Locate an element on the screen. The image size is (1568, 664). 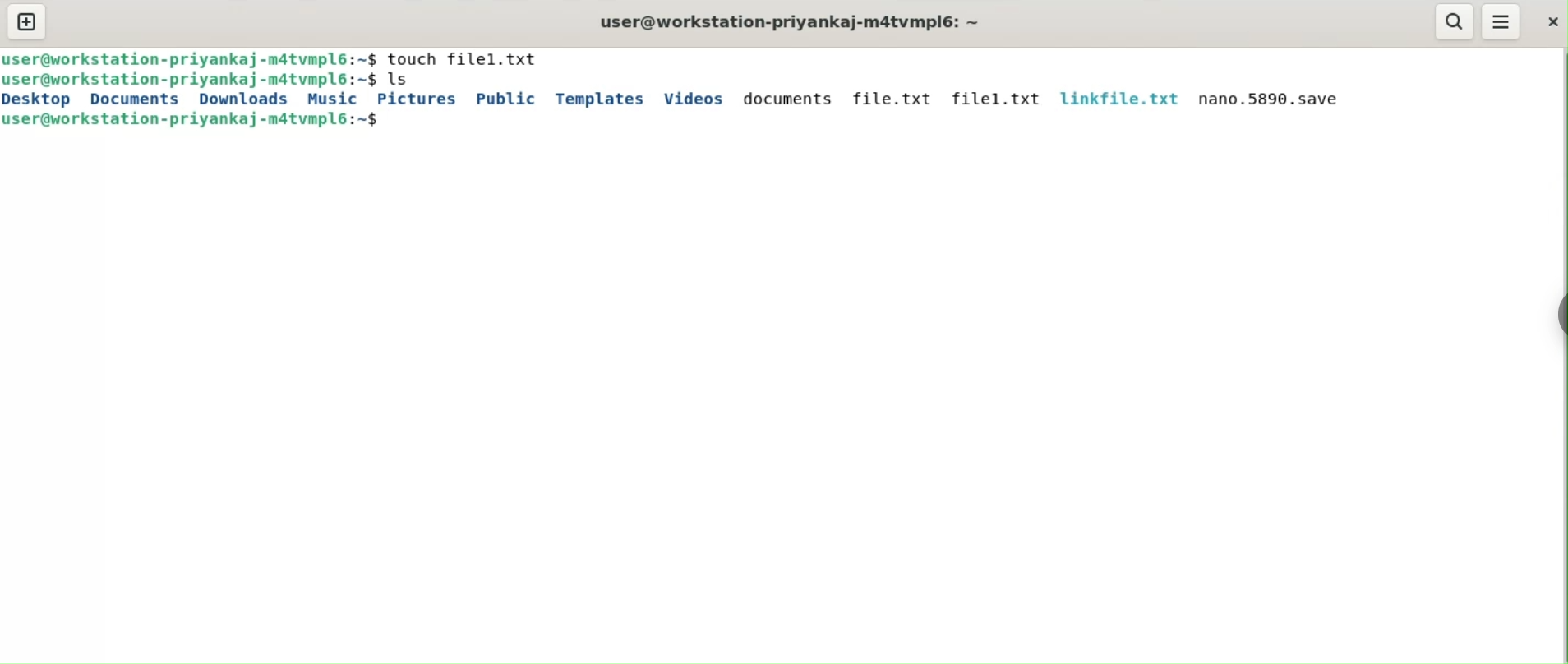
menu is located at coordinates (1501, 21).